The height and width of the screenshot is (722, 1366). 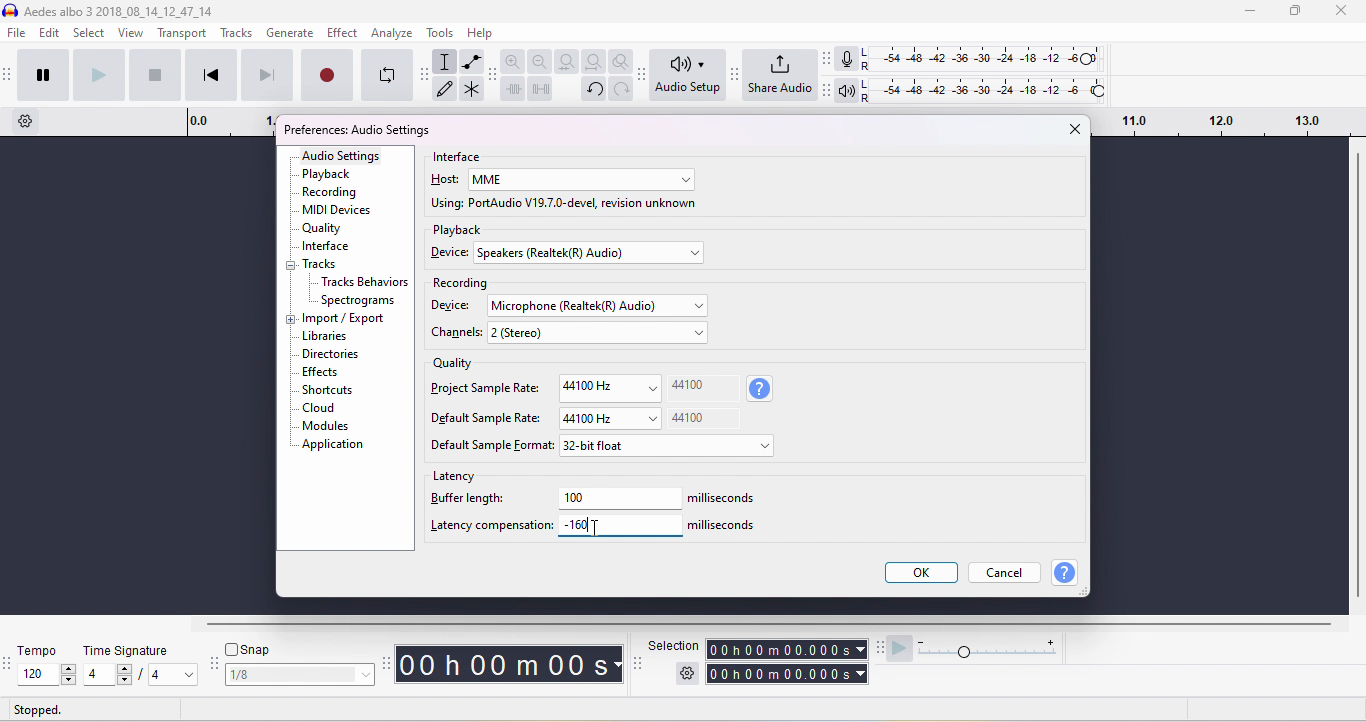 I want to click on milliseconds, so click(x=724, y=524).